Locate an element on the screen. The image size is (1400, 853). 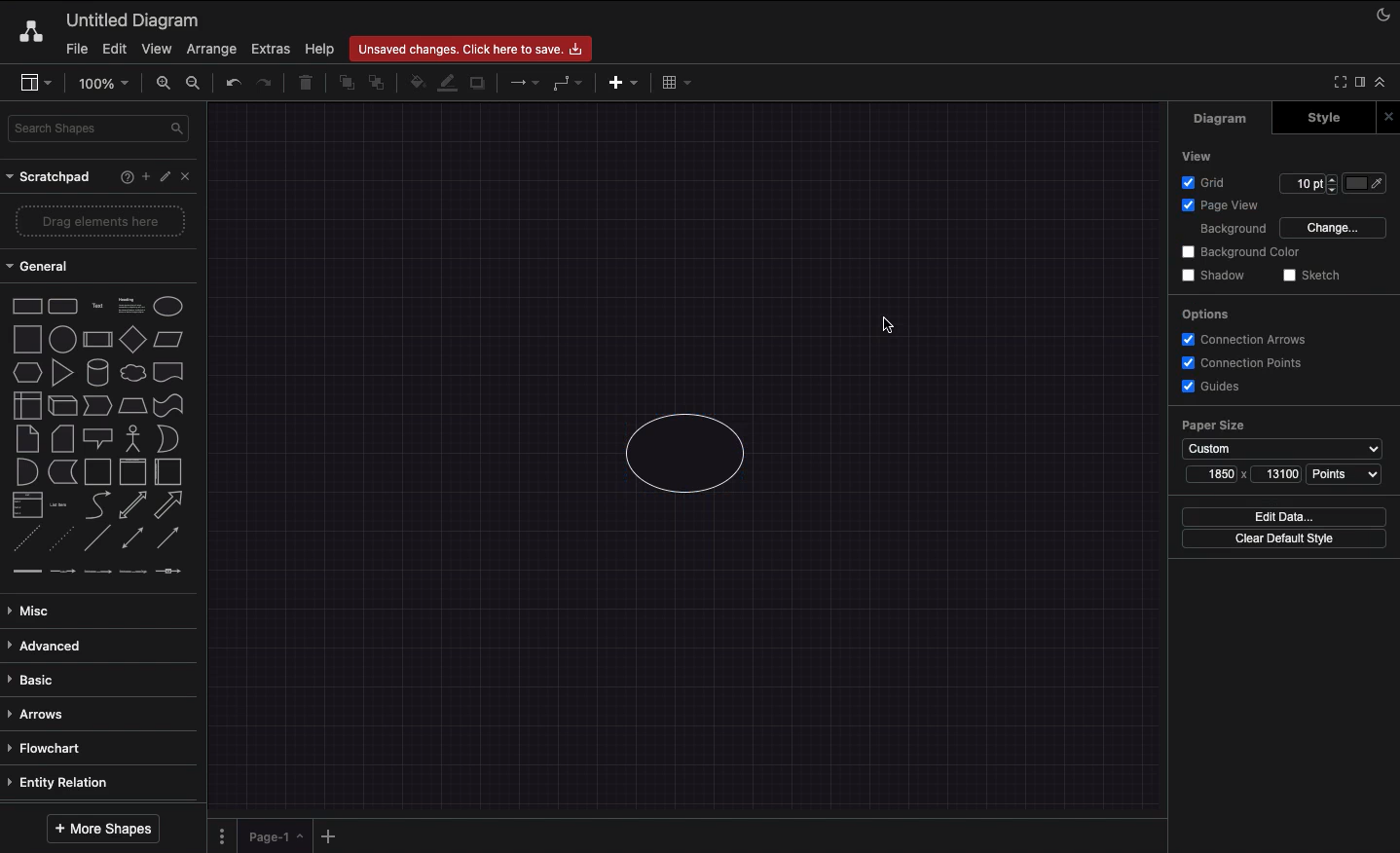
Square is located at coordinates (25, 339).